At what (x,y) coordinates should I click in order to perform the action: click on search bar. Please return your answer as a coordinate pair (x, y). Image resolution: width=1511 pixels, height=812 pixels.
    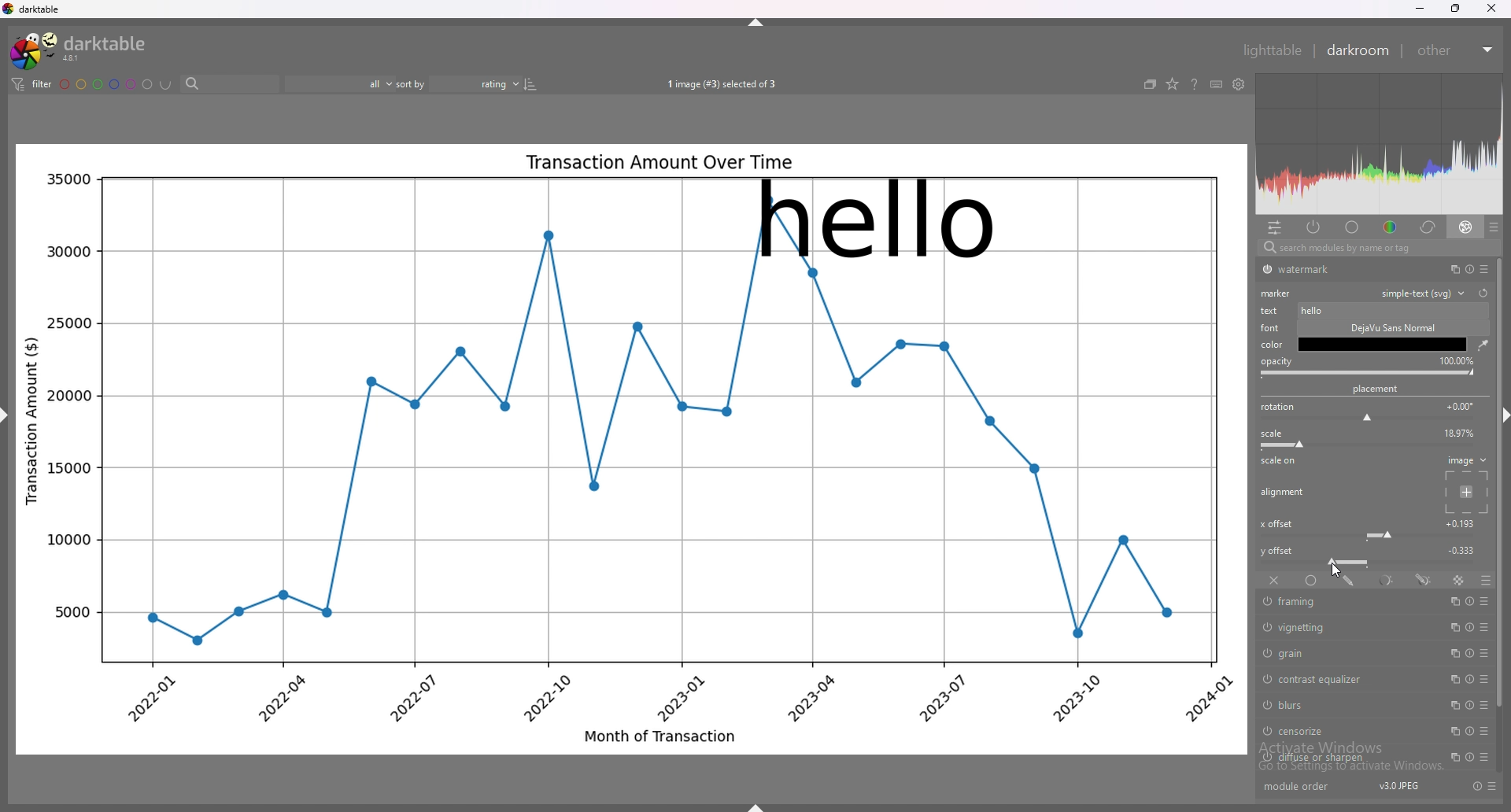
    Looking at the image, I should click on (1374, 249).